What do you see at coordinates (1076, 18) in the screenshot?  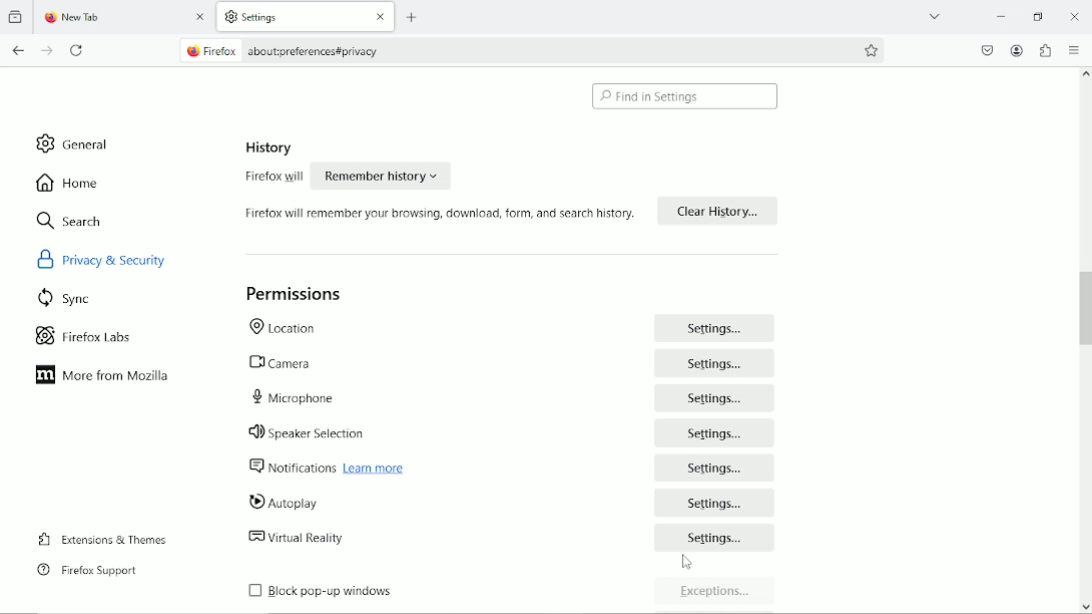 I see `Close` at bounding box center [1076, 18].